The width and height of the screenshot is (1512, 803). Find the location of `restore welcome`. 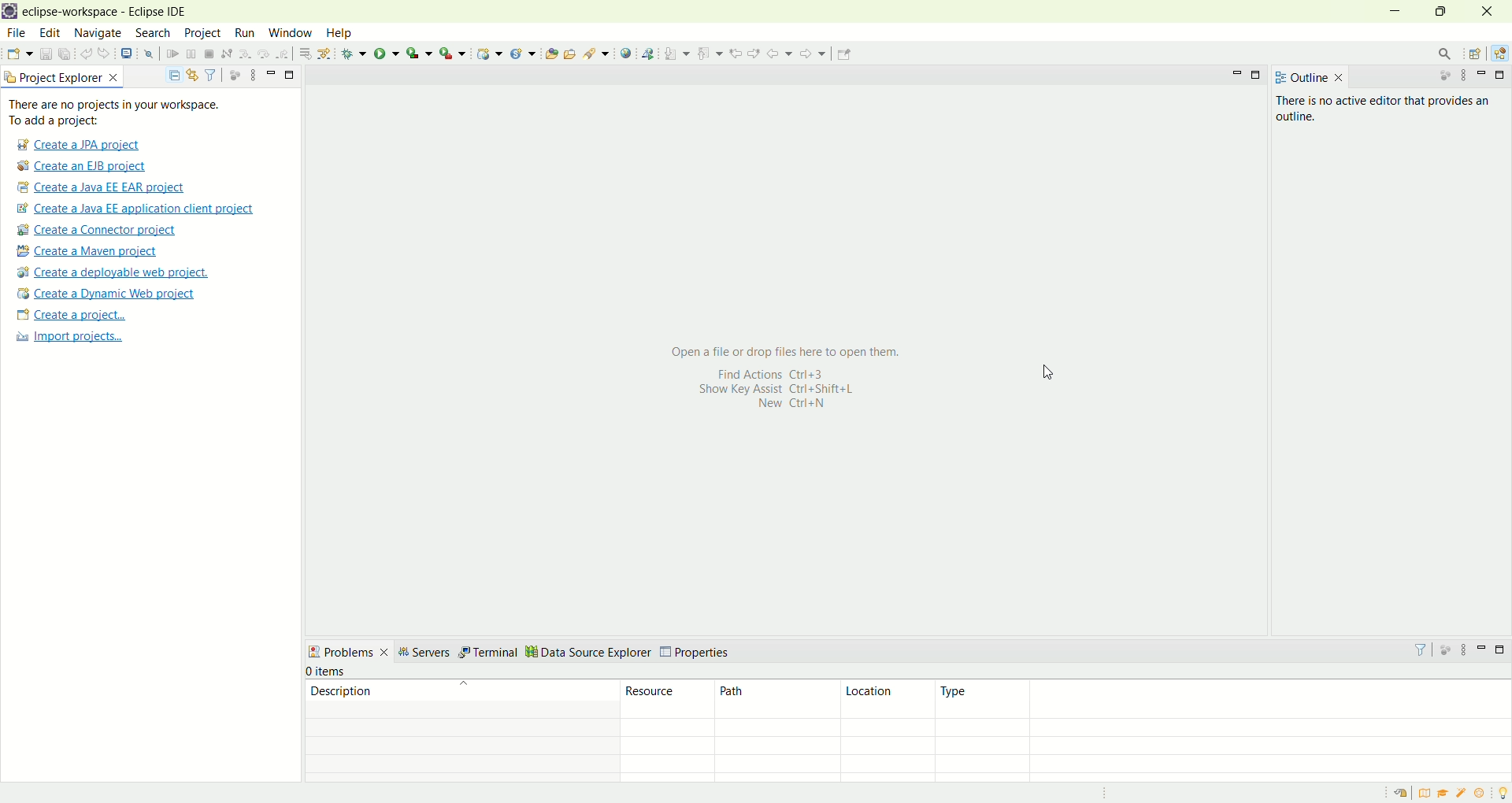

restore welcome is located at coordinates (1401, 793).